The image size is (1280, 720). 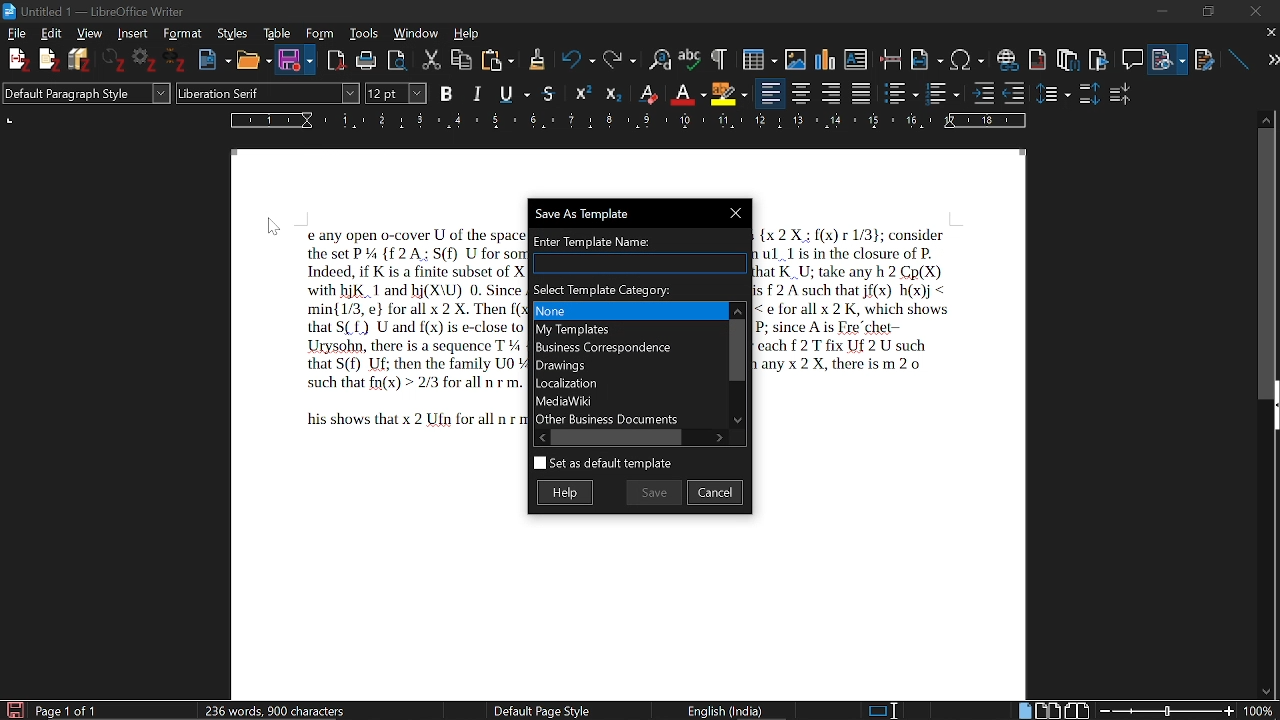 What do you see at coordinates (54, 33) in the screenshot?
I see `Edit` at bounding box center [54, 33].